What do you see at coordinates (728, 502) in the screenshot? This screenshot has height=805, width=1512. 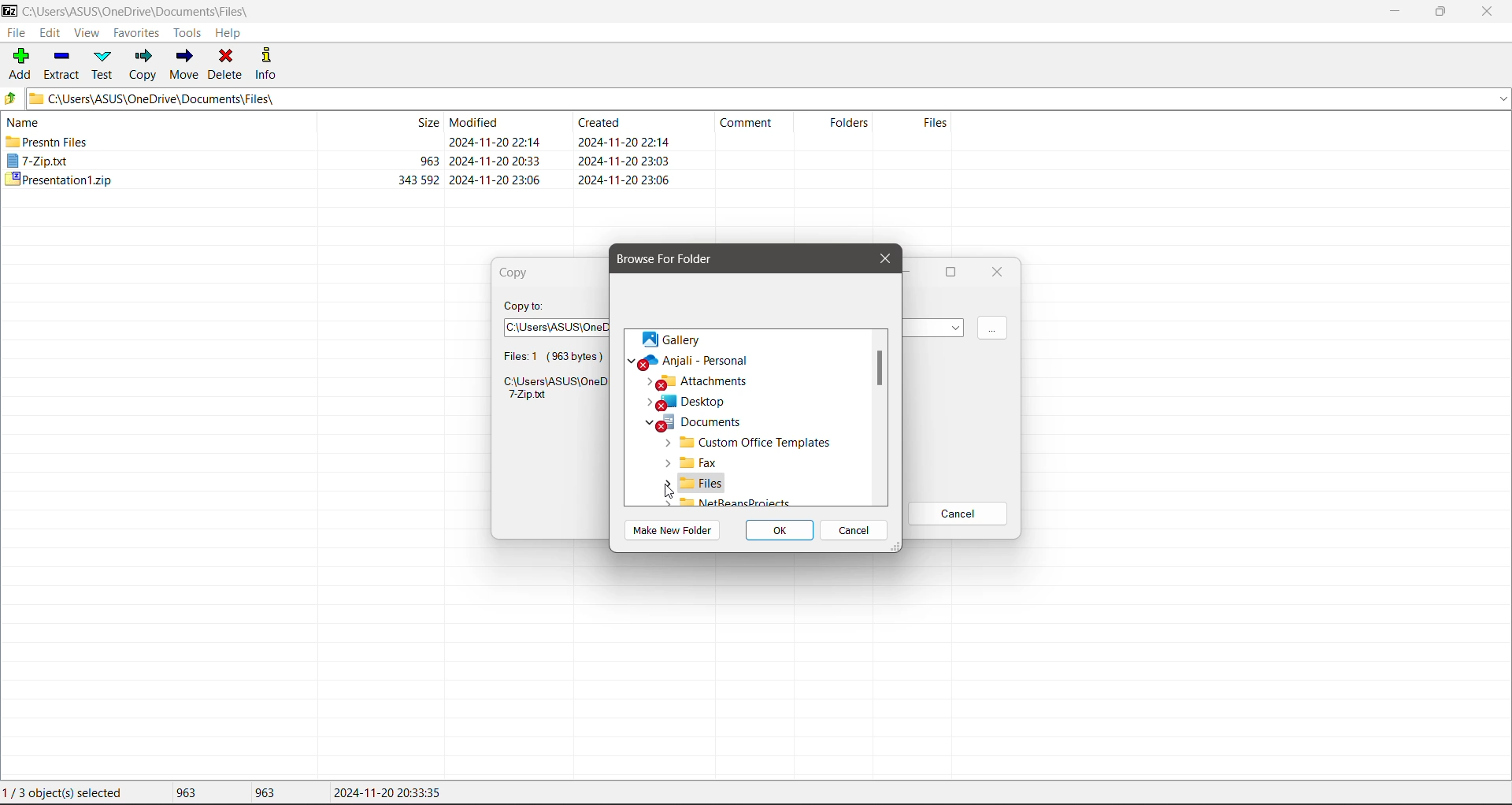 I see `` at bounding box center [728, 502].